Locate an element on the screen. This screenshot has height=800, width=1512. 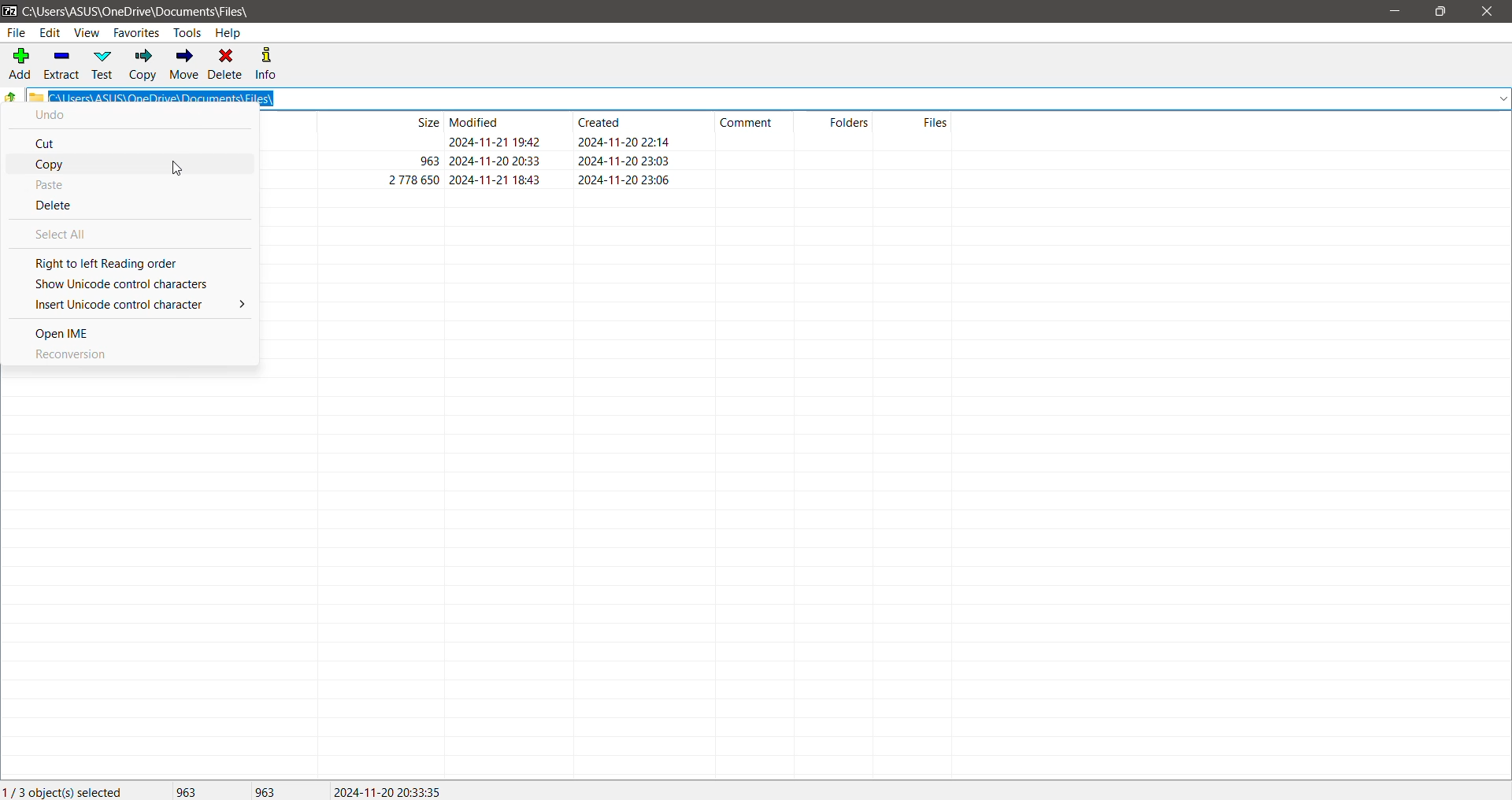
Move Up one level is located at coordinates (11, 99).